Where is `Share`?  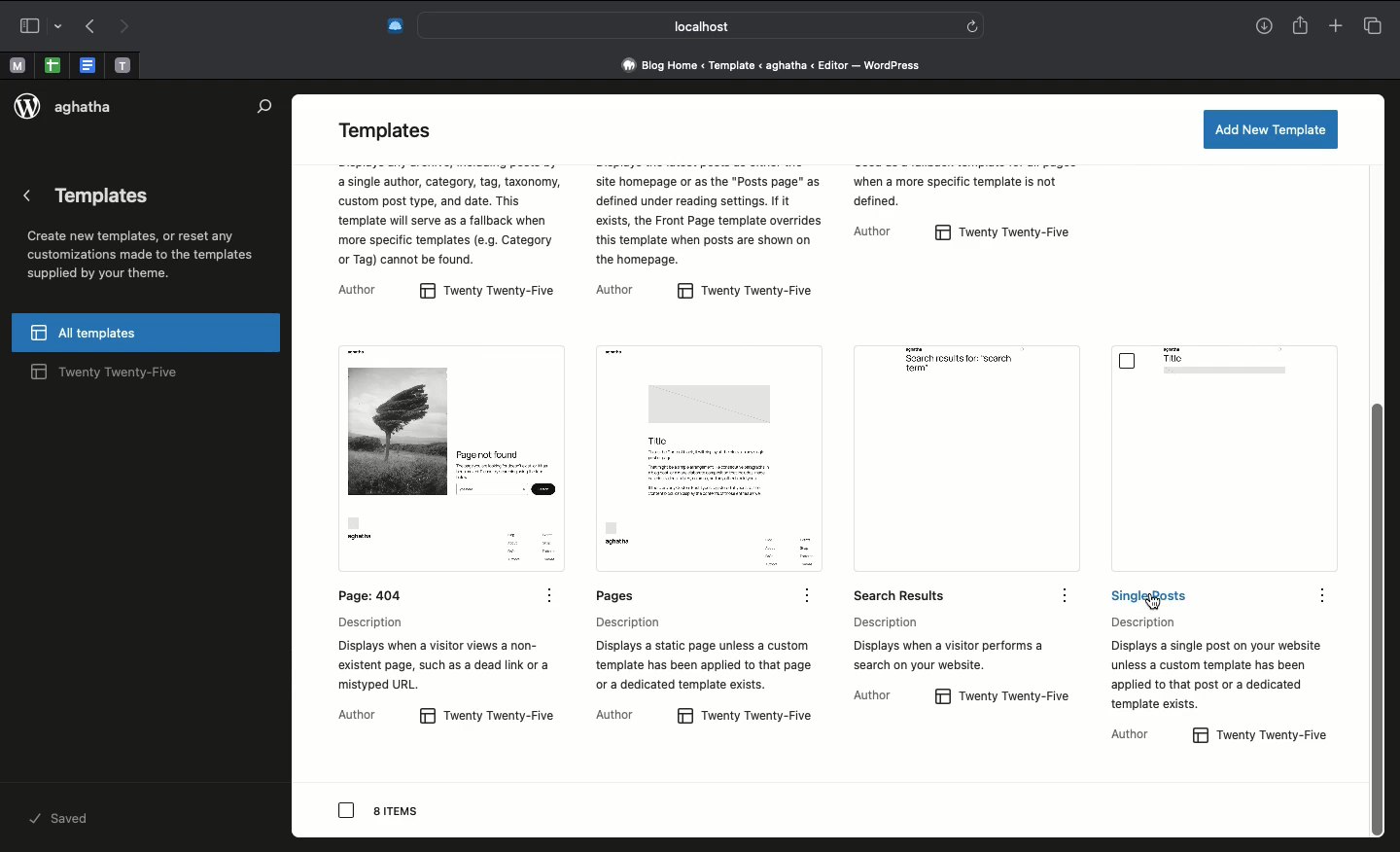 Share is located at coordinates (1300, 26).